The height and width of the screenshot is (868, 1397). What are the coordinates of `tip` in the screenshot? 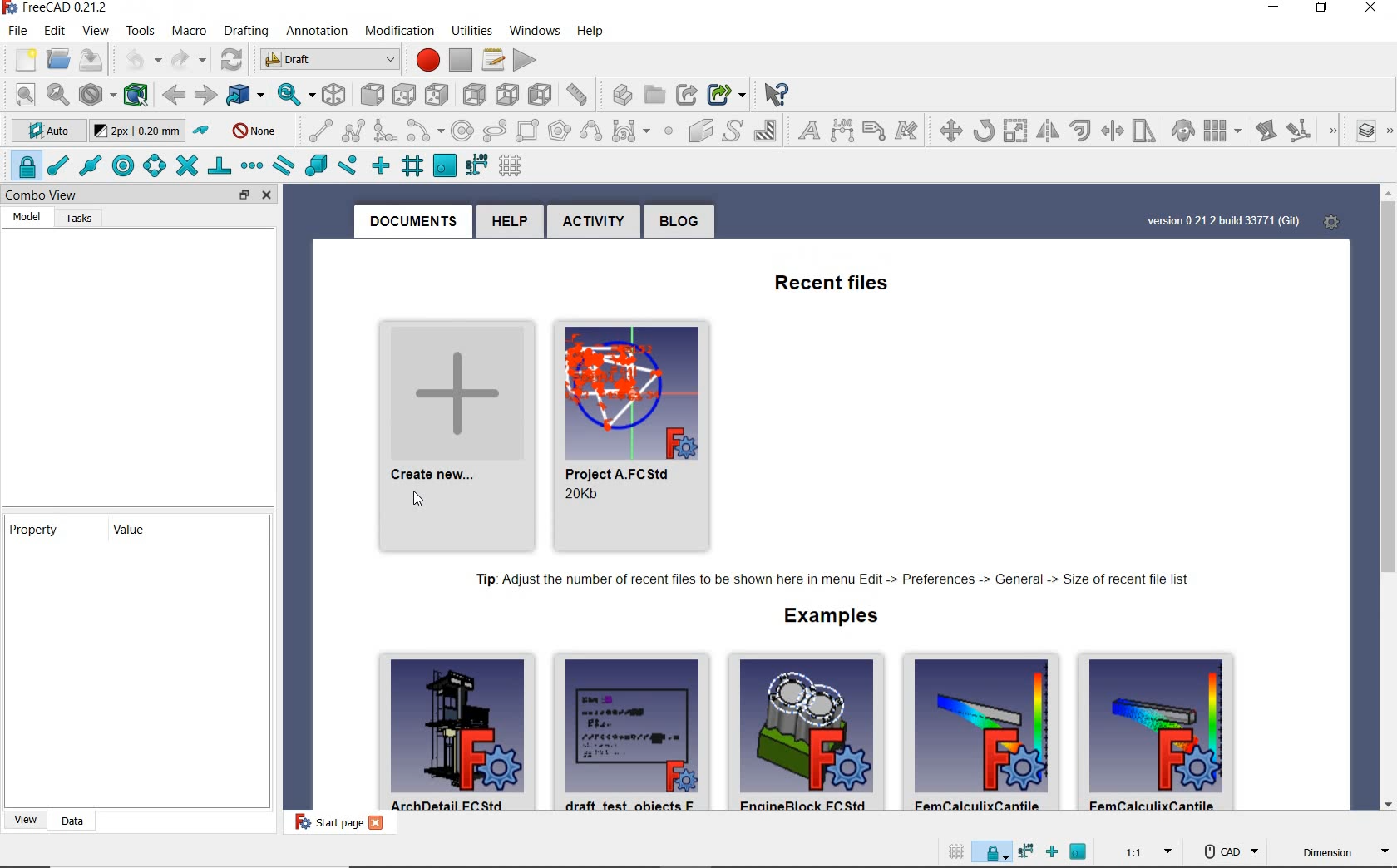 It's located at (835, 577).